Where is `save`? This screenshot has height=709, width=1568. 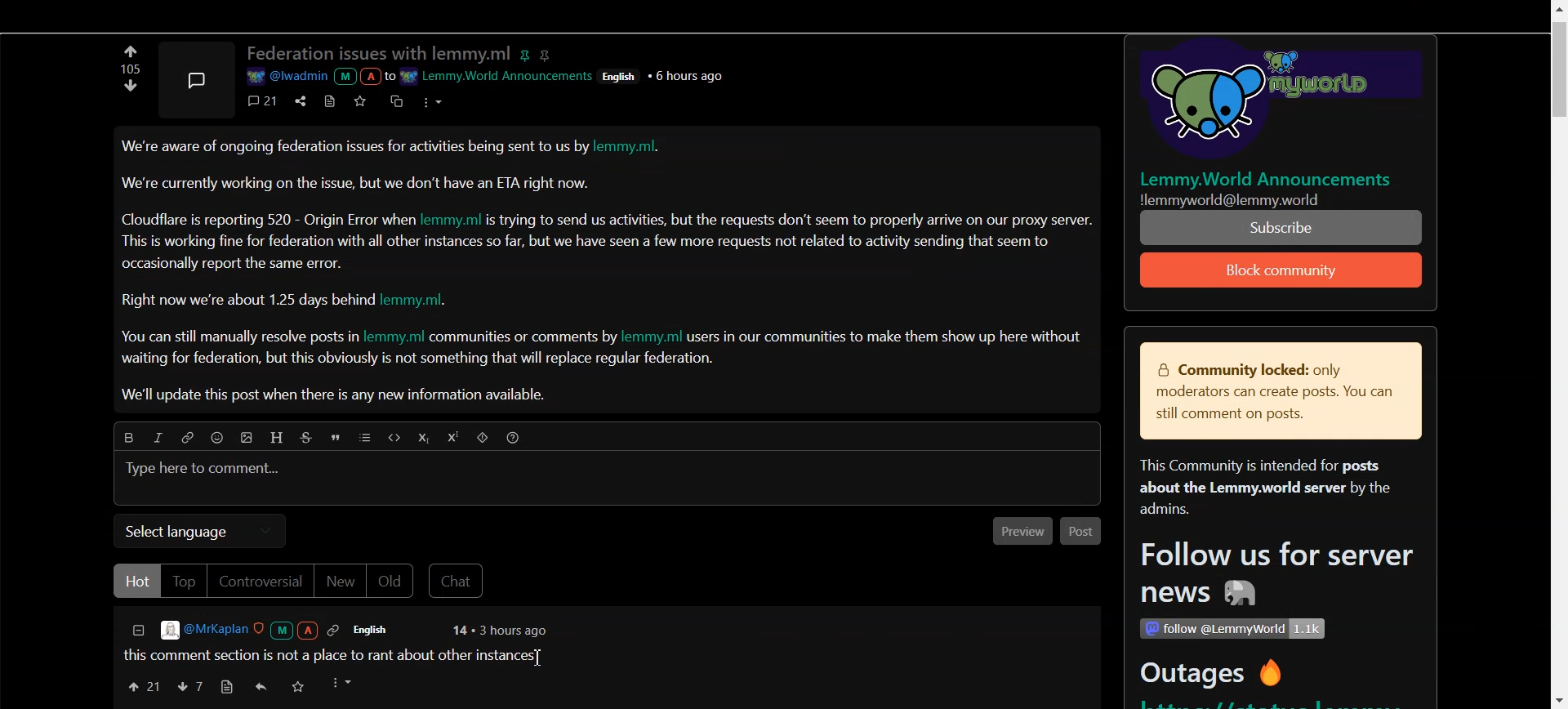
save is located at coordinates (363, 100).